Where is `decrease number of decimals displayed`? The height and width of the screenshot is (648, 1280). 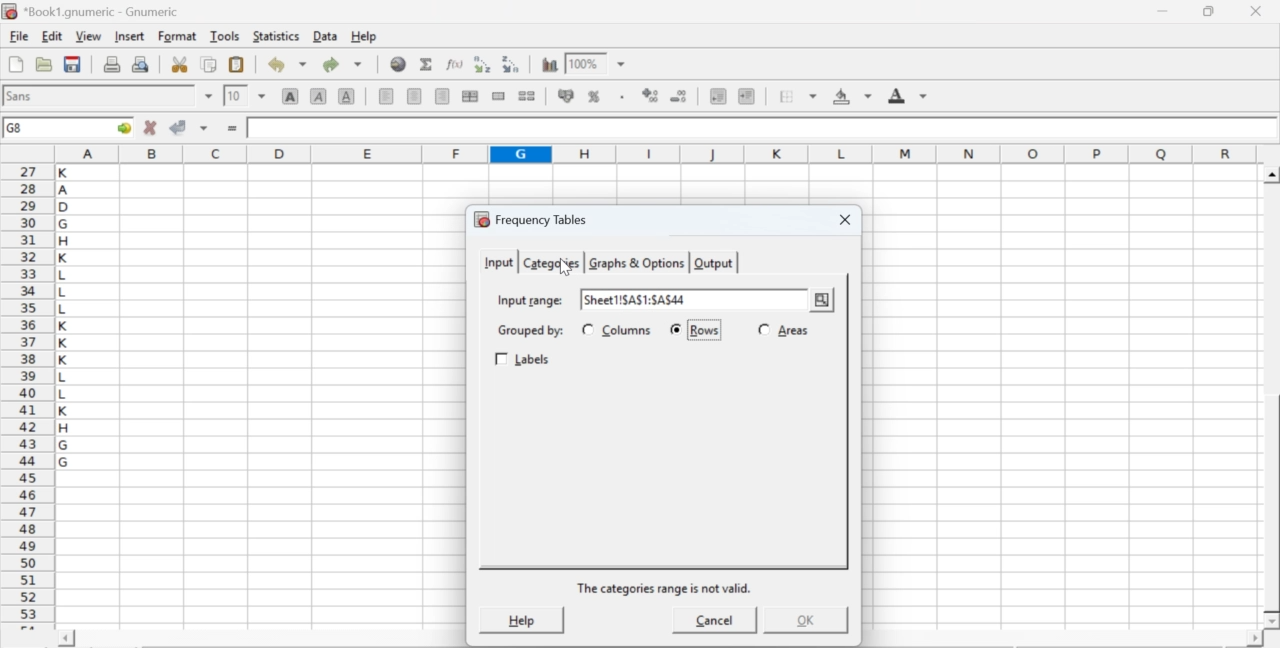 decrease number of decimals displayed is located at coordinates (650, 96).